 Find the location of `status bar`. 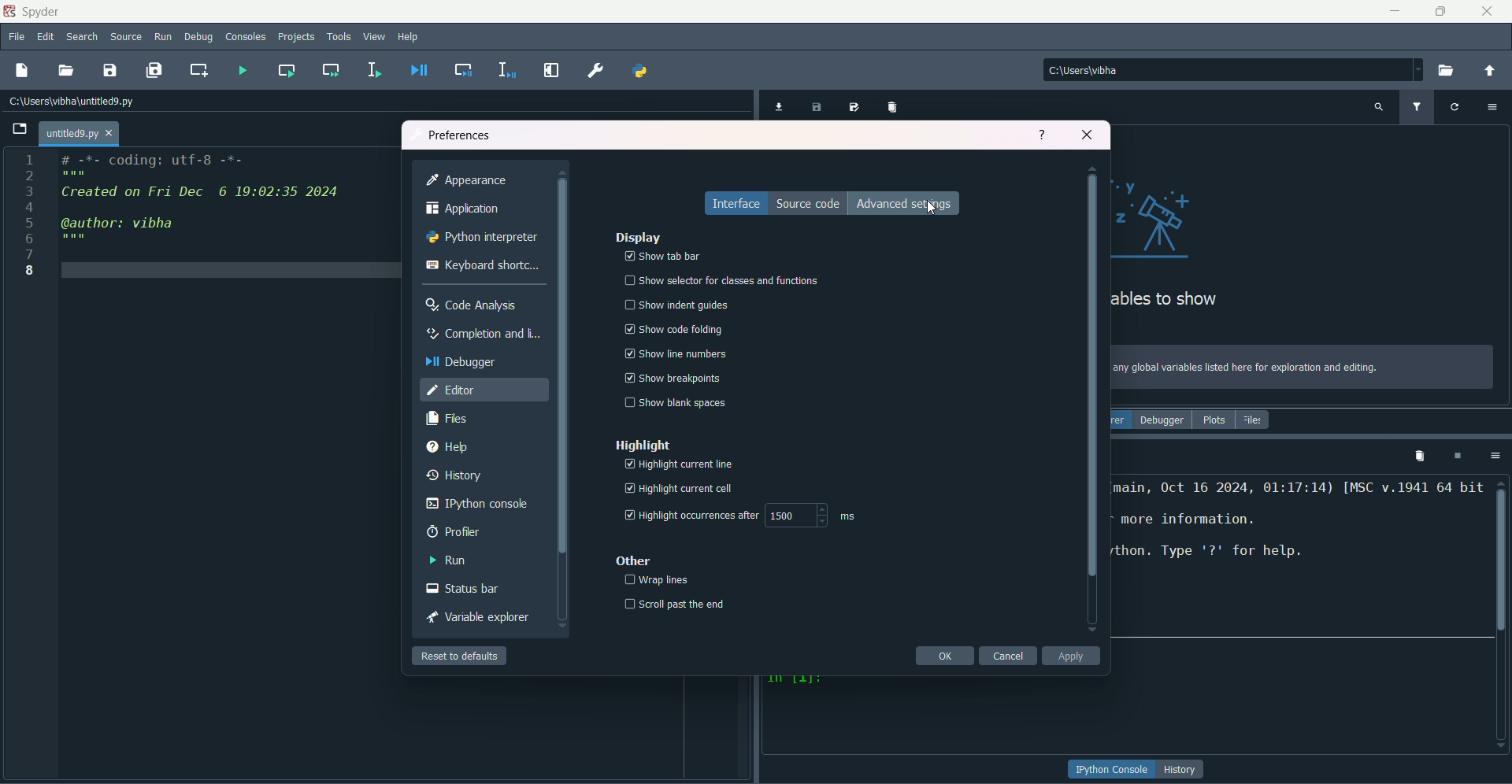

status bar is located at coordinates (460, 590).